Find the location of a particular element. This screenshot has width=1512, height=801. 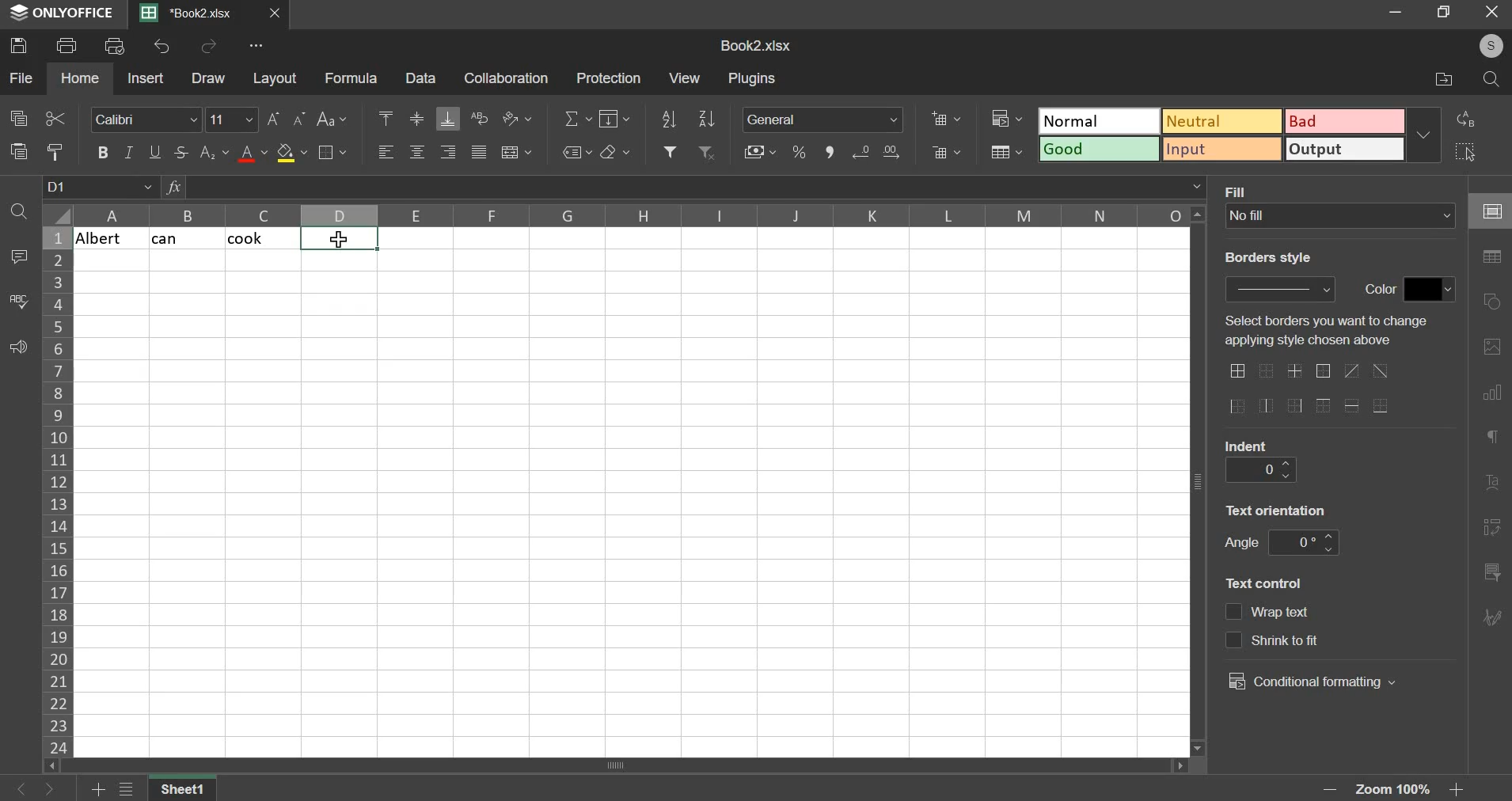

percentage is located at coordinates (798, 152).